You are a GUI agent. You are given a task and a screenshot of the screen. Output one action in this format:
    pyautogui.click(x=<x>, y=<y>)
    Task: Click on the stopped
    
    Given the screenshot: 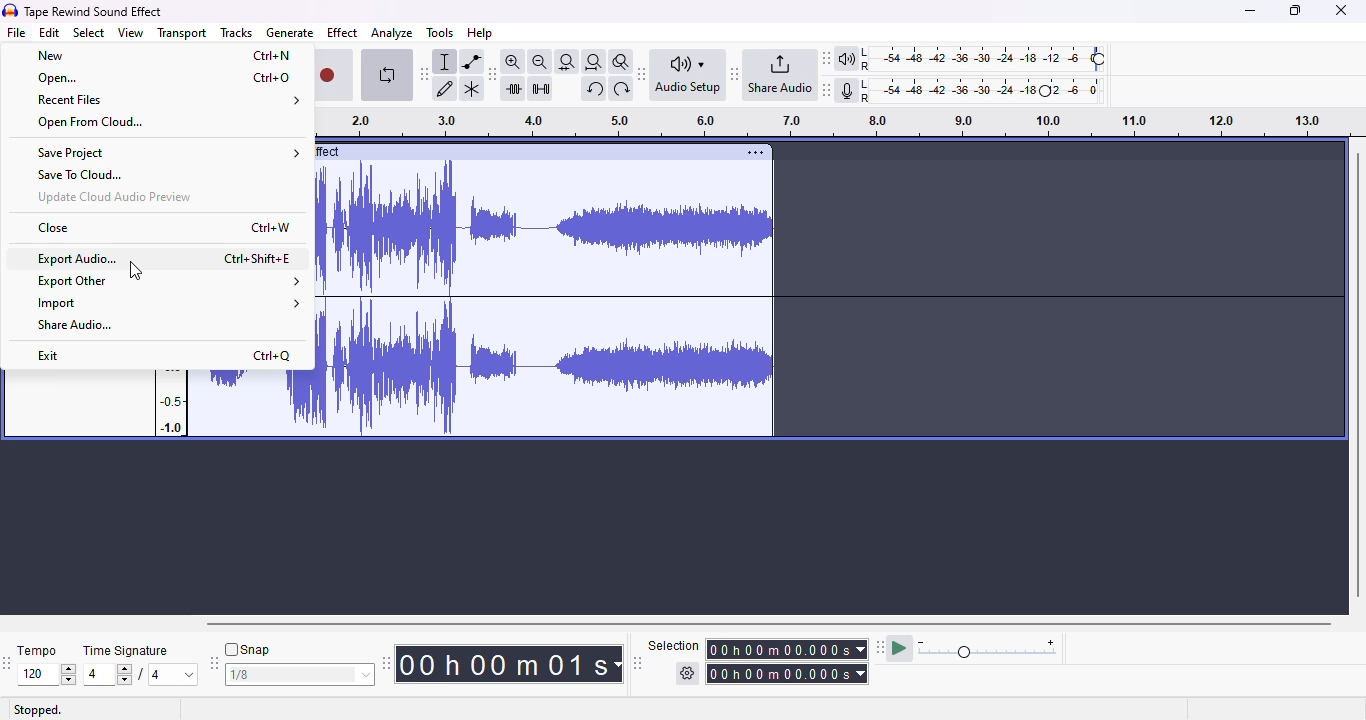 What is the action you would take?
    pyautogui.click(x=37, y=710)
    